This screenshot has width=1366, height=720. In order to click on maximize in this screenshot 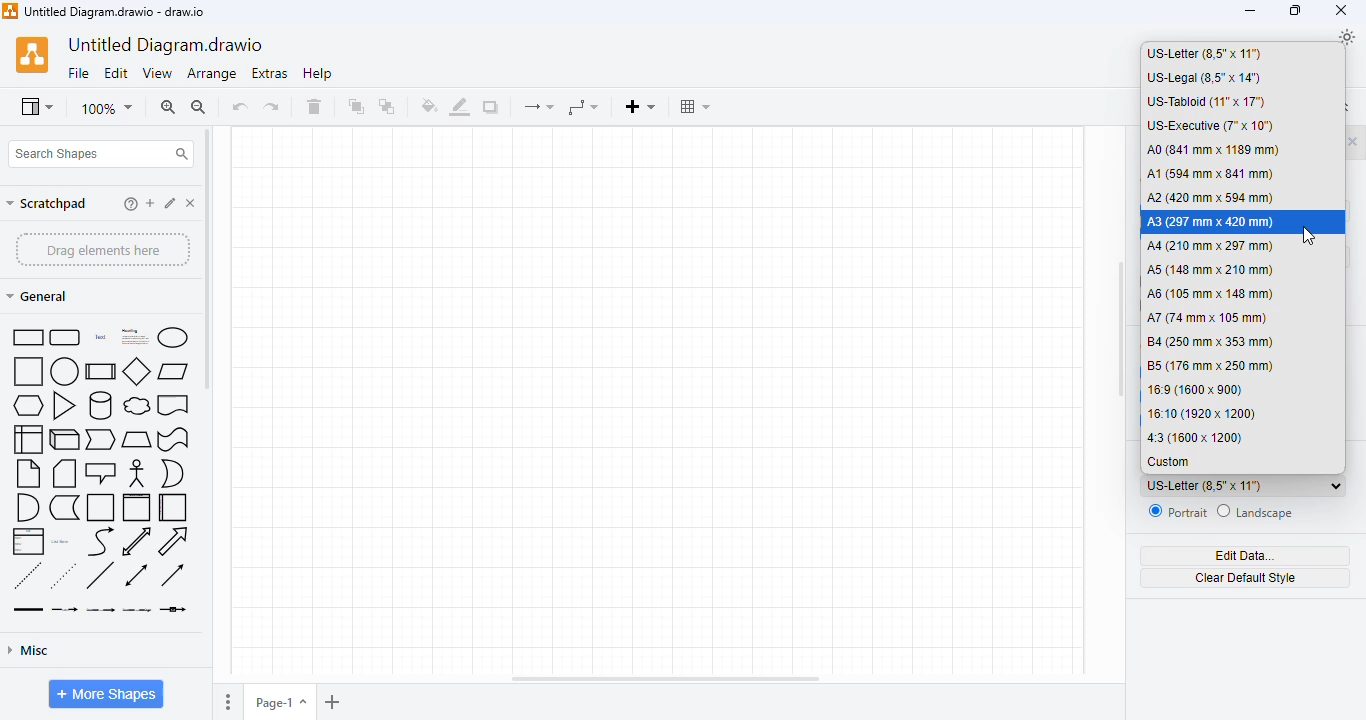, I will do `click(1296, 11)`.